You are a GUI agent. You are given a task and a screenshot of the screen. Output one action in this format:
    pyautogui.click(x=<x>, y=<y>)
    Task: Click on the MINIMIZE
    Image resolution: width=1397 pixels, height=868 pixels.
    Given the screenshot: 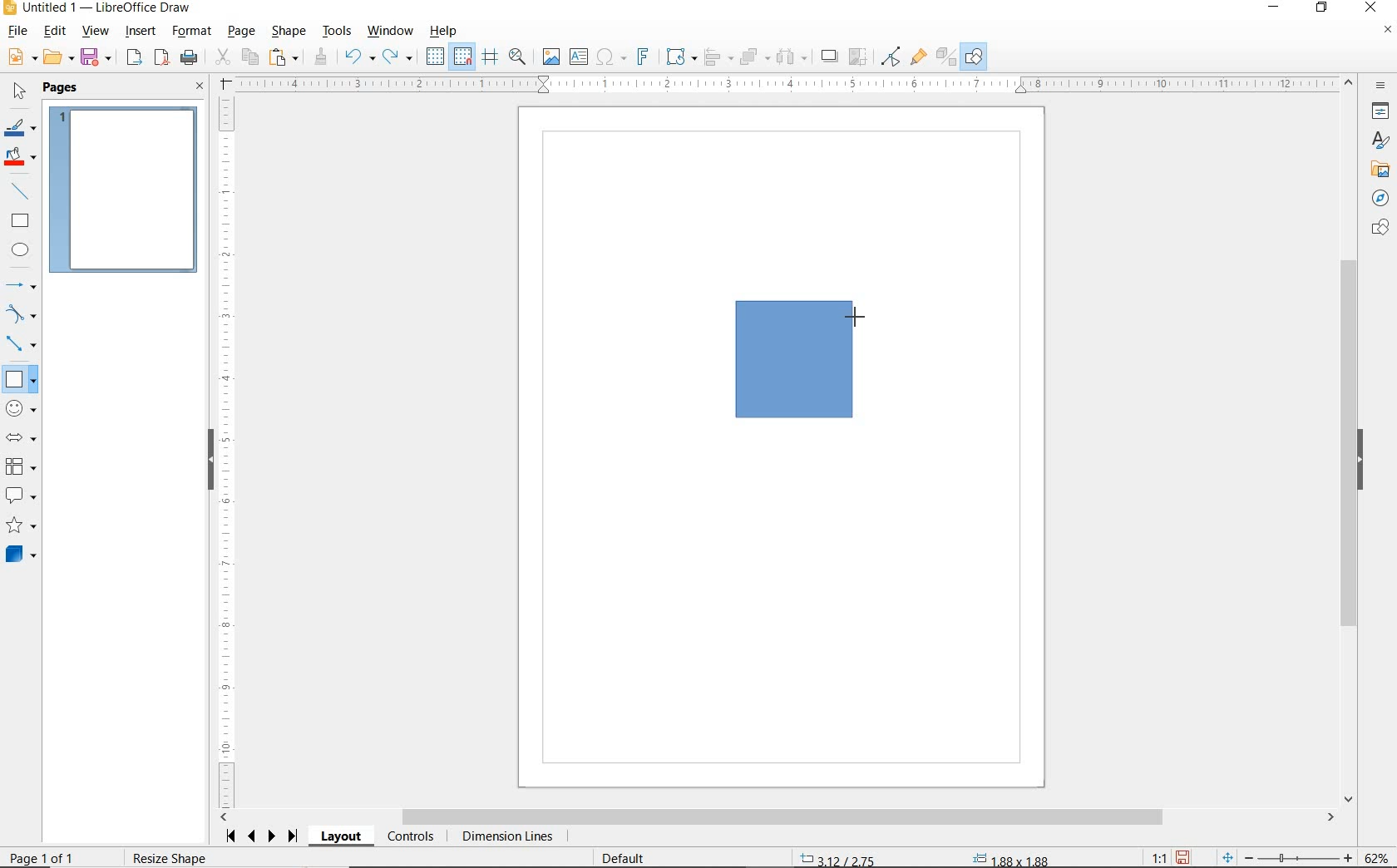 What is the action you would take?
    pyautogui.click(x=1278, y=8)
    